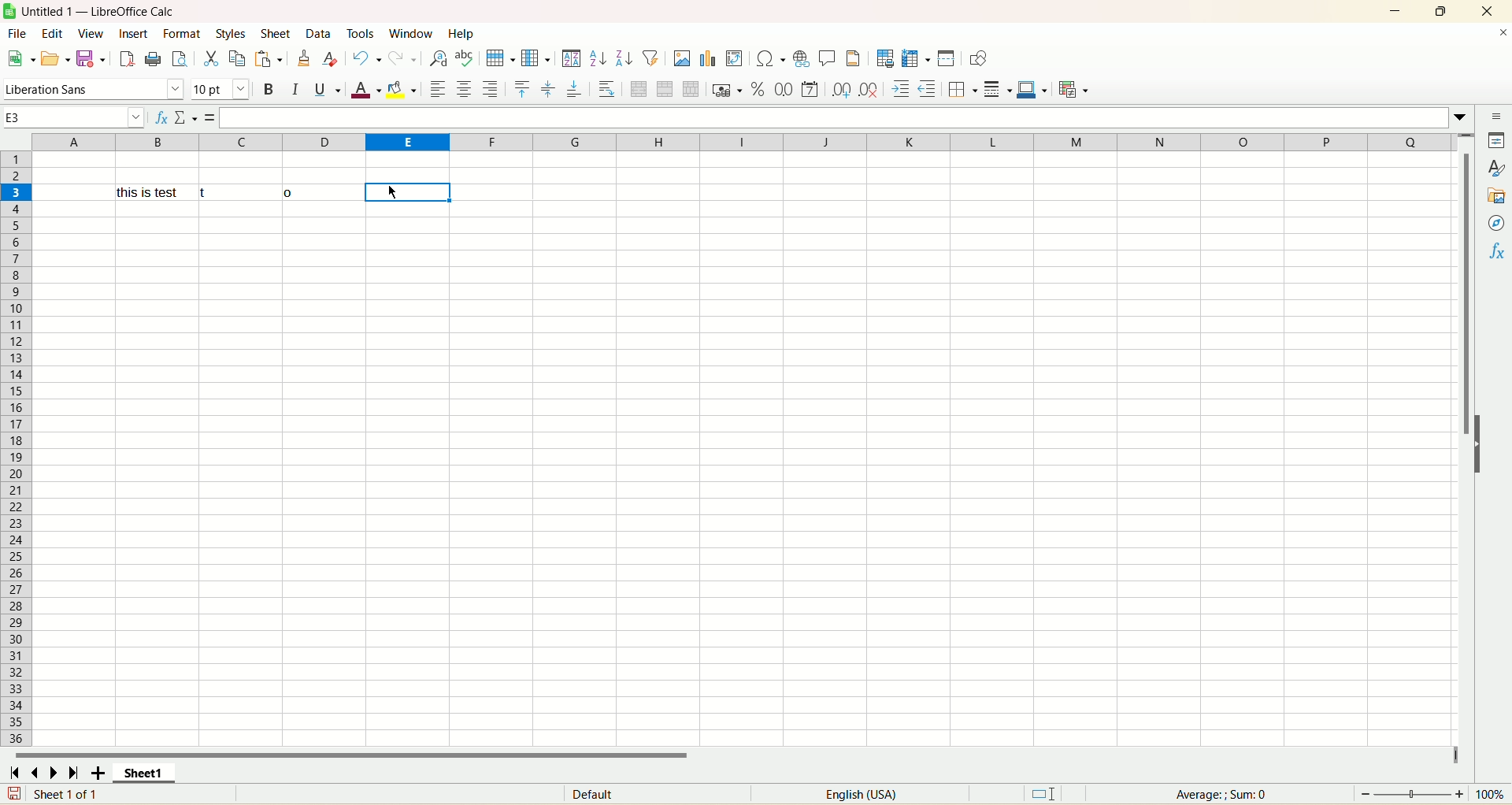 This screenshot has width=1512, height=805. I want to click on print preview, so click(178, 57).